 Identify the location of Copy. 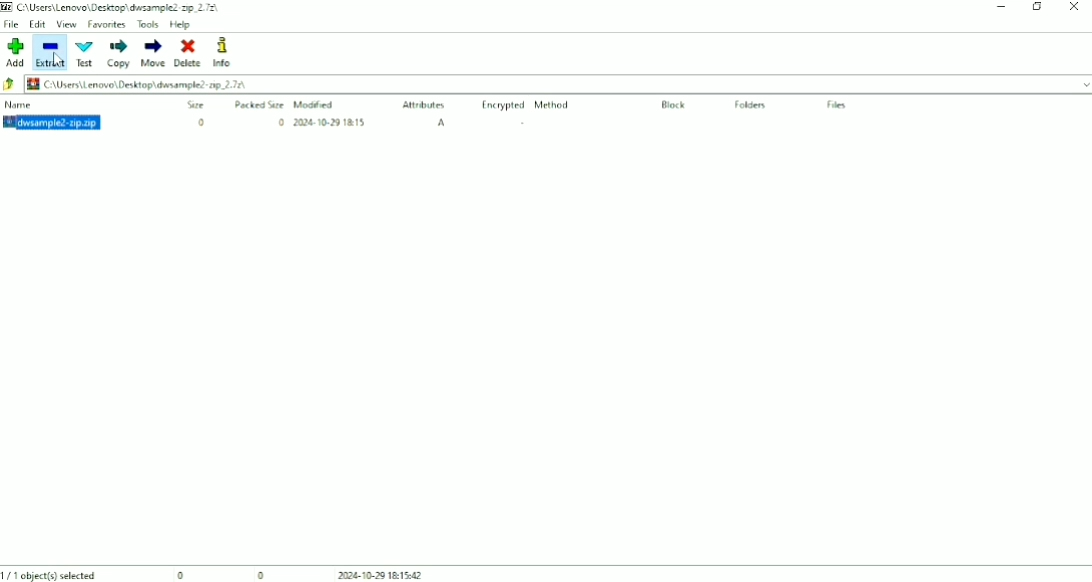
(119, 53).